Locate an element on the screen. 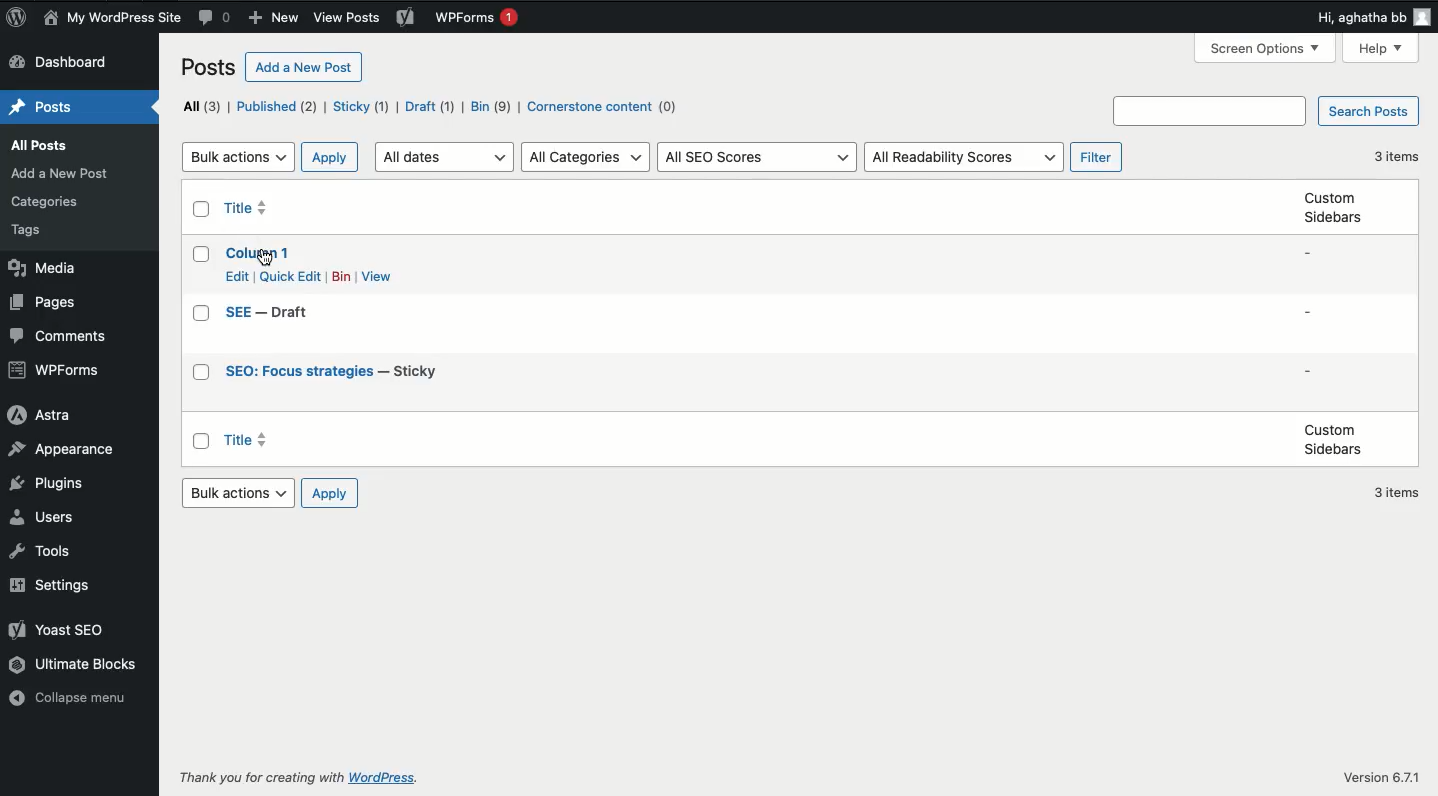 The width and height of the screenshot is (1438, 796). Column 1 is located at coordinates (265, 251).